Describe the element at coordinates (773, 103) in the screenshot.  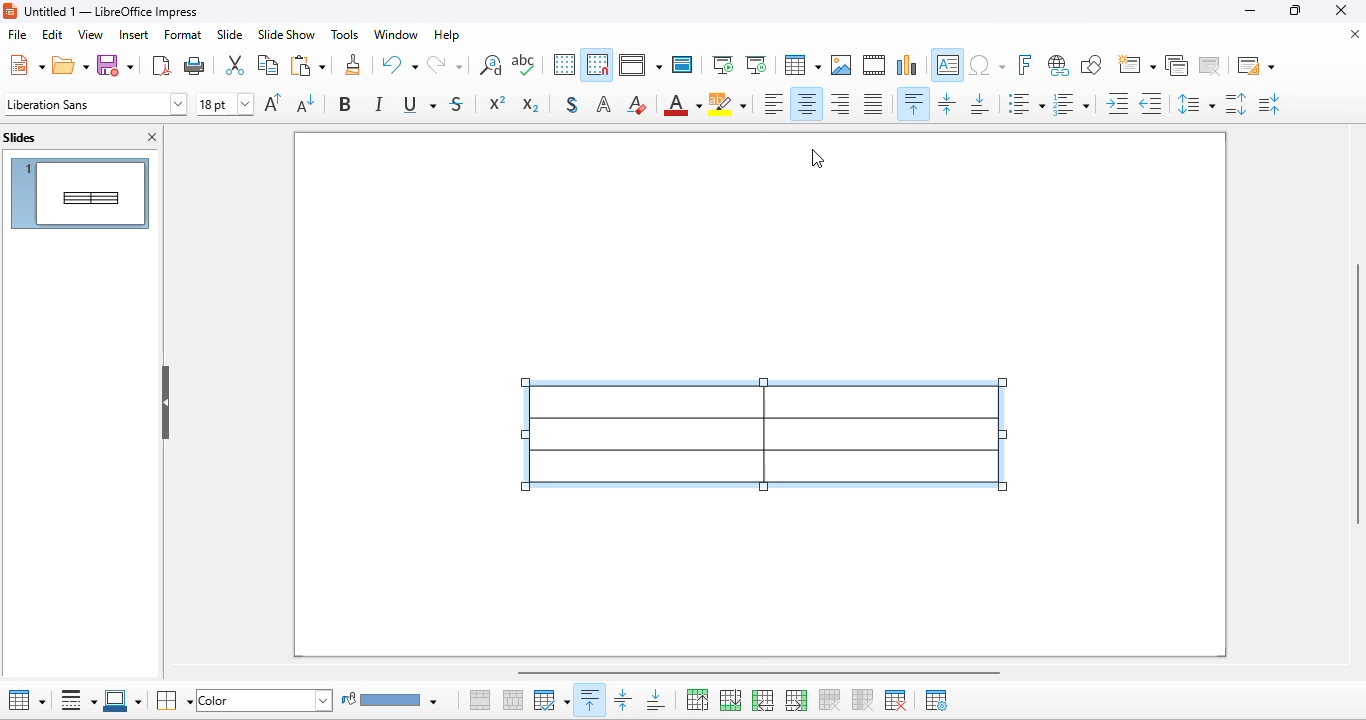
I see `align left` at that location.